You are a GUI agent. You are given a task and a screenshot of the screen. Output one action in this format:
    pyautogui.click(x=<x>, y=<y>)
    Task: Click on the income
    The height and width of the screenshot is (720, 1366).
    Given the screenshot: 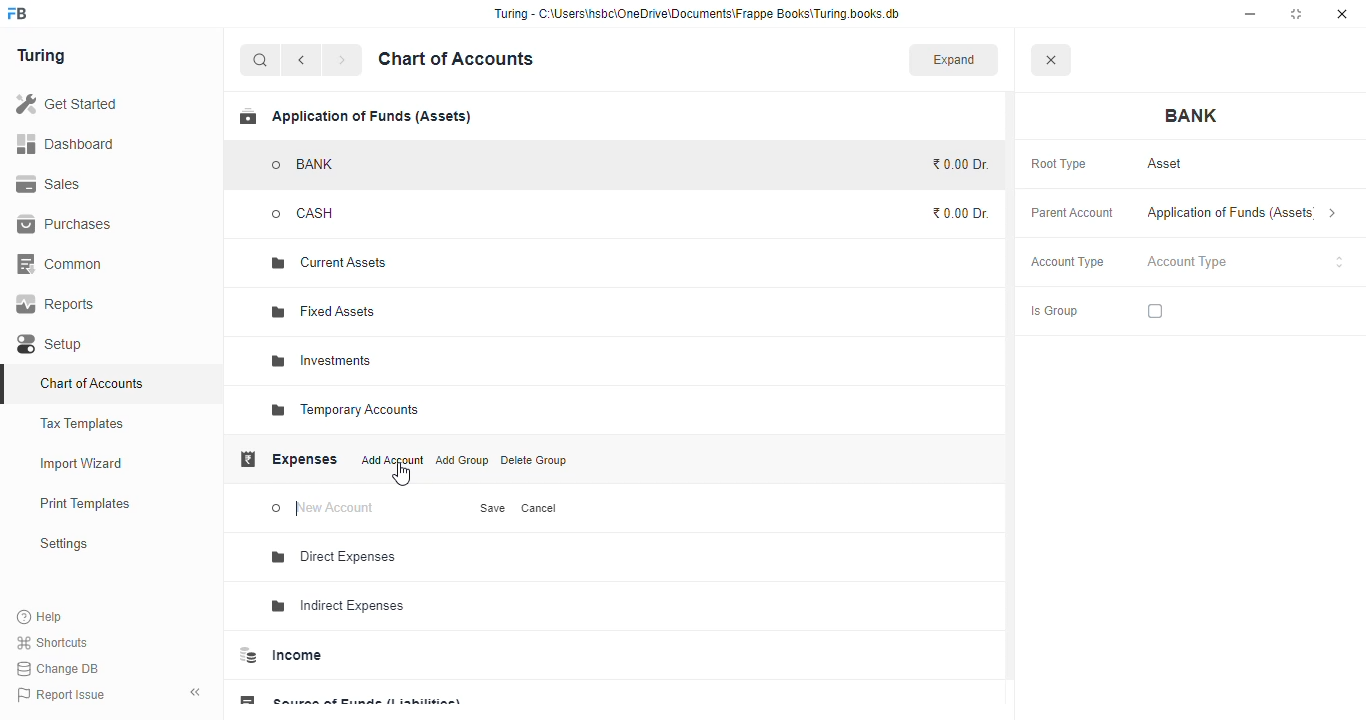 What is the action you would take?
    pyautogui.click(x=281, y=655)
    